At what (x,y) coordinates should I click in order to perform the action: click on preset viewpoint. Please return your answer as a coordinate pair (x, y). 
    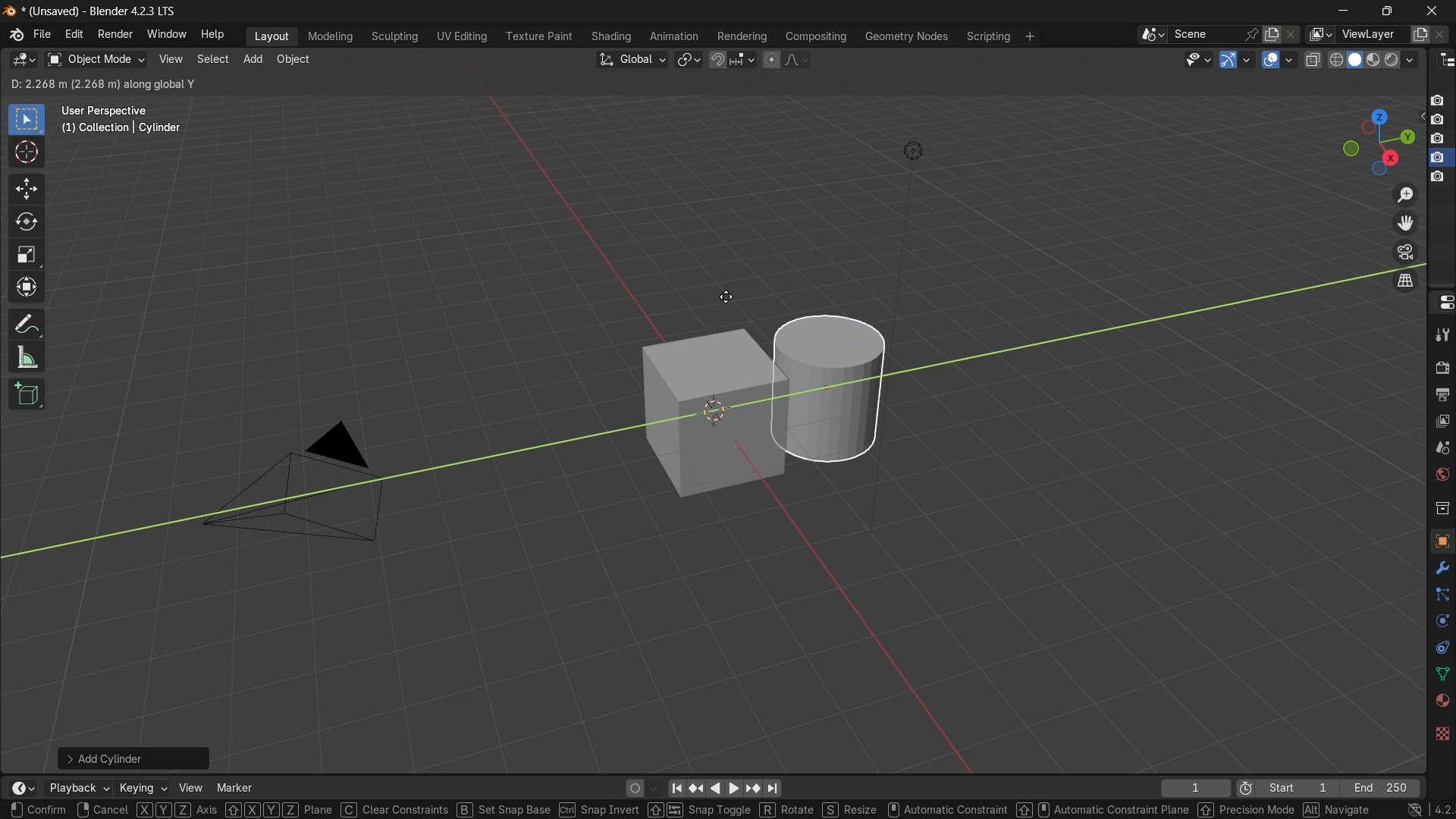
    Looking at the image, I should click on (1378, 143).